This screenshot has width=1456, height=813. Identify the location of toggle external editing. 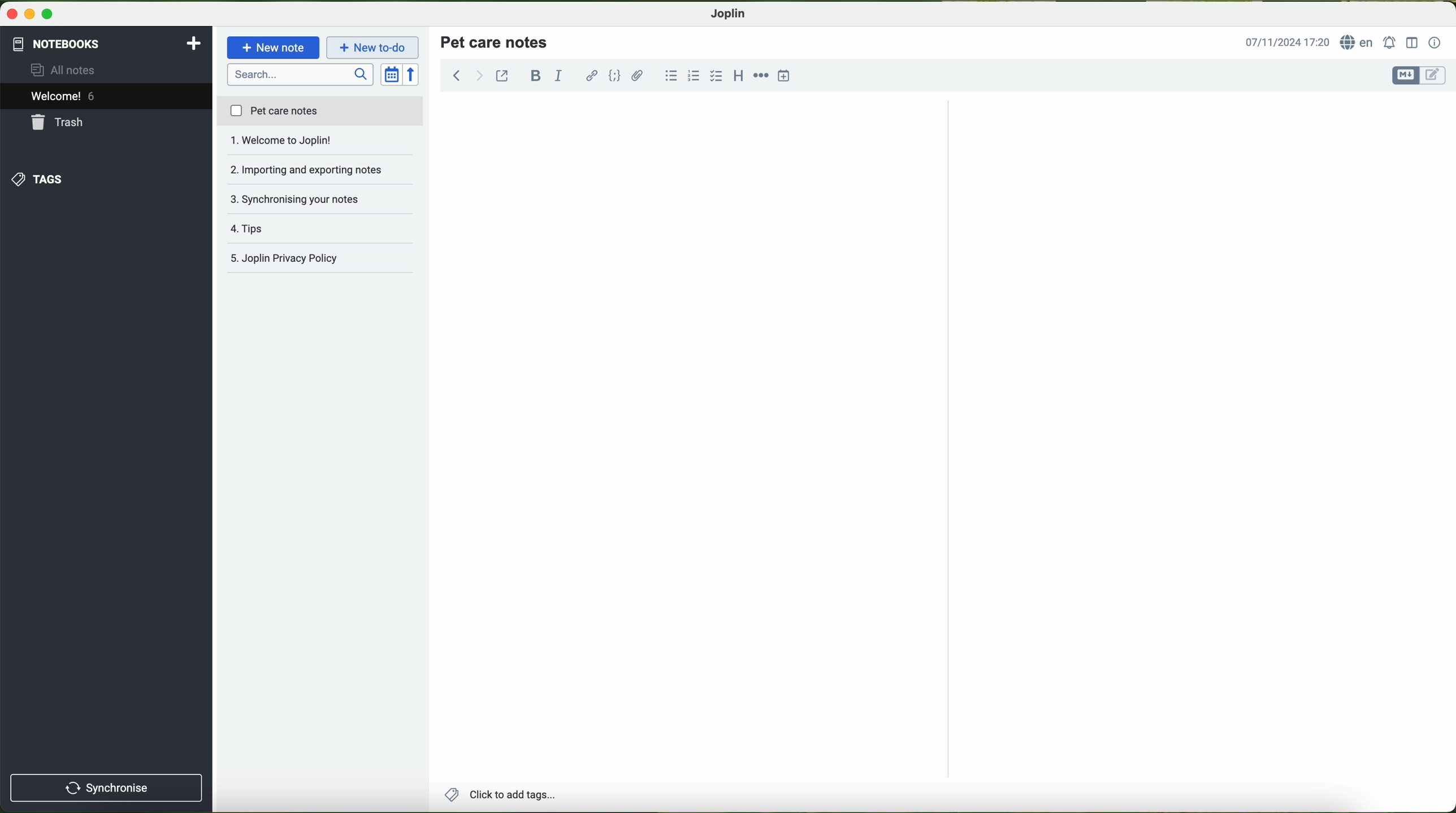
(502, 75).